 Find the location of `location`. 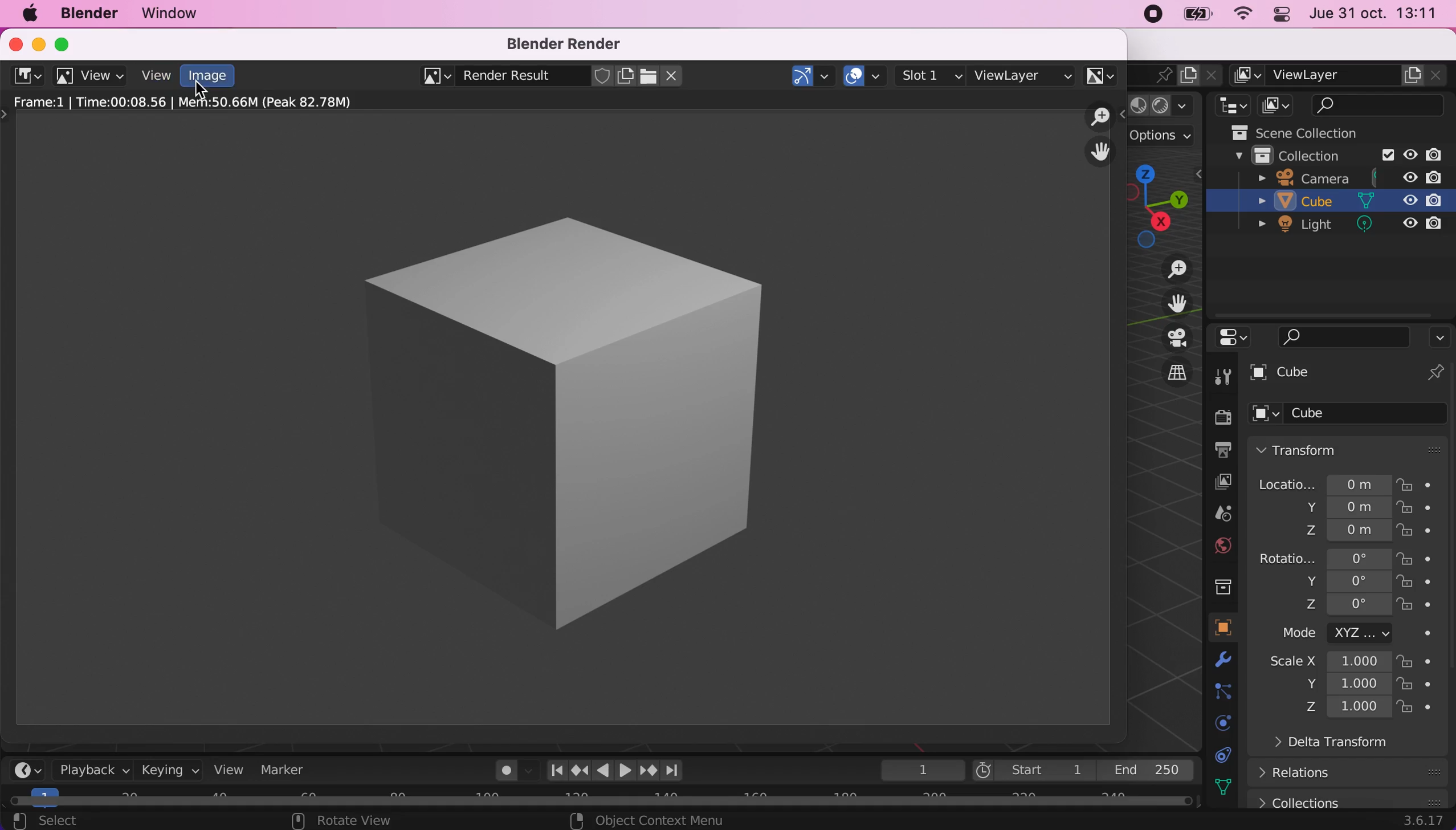

location is located at coordinates (1324, 481).